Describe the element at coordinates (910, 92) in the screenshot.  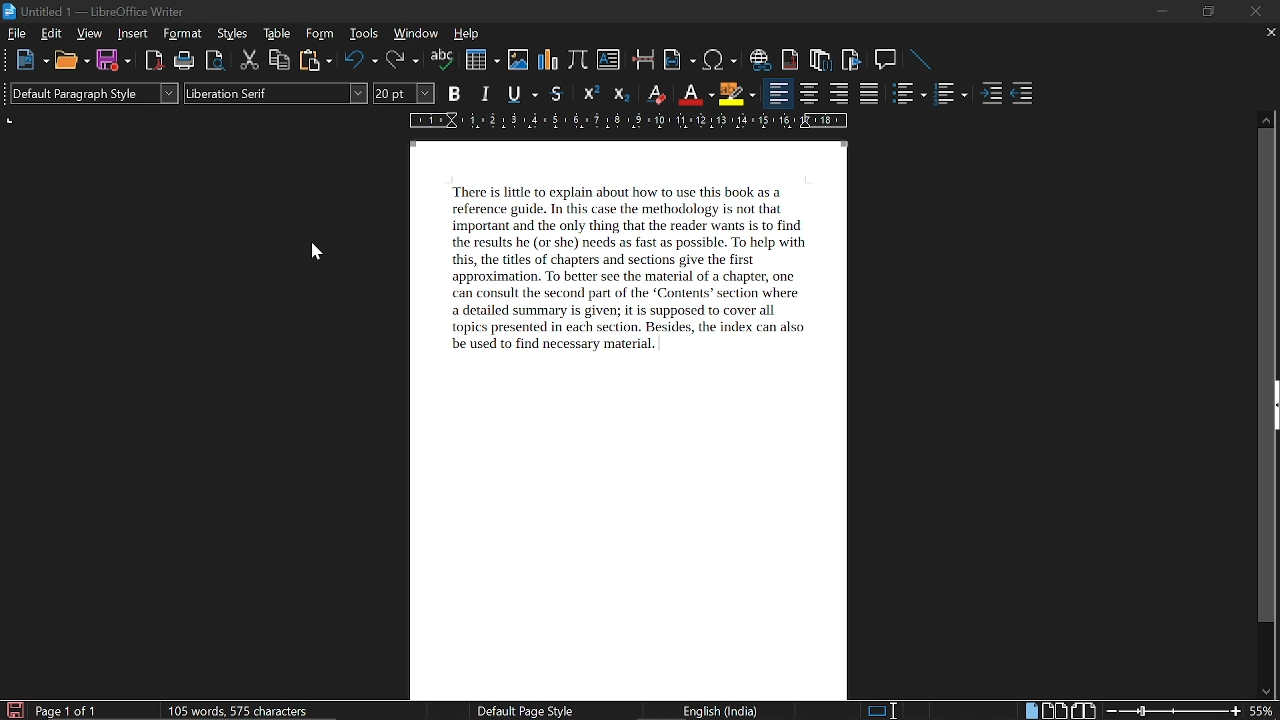
I see `toggle ordered list` at that location.